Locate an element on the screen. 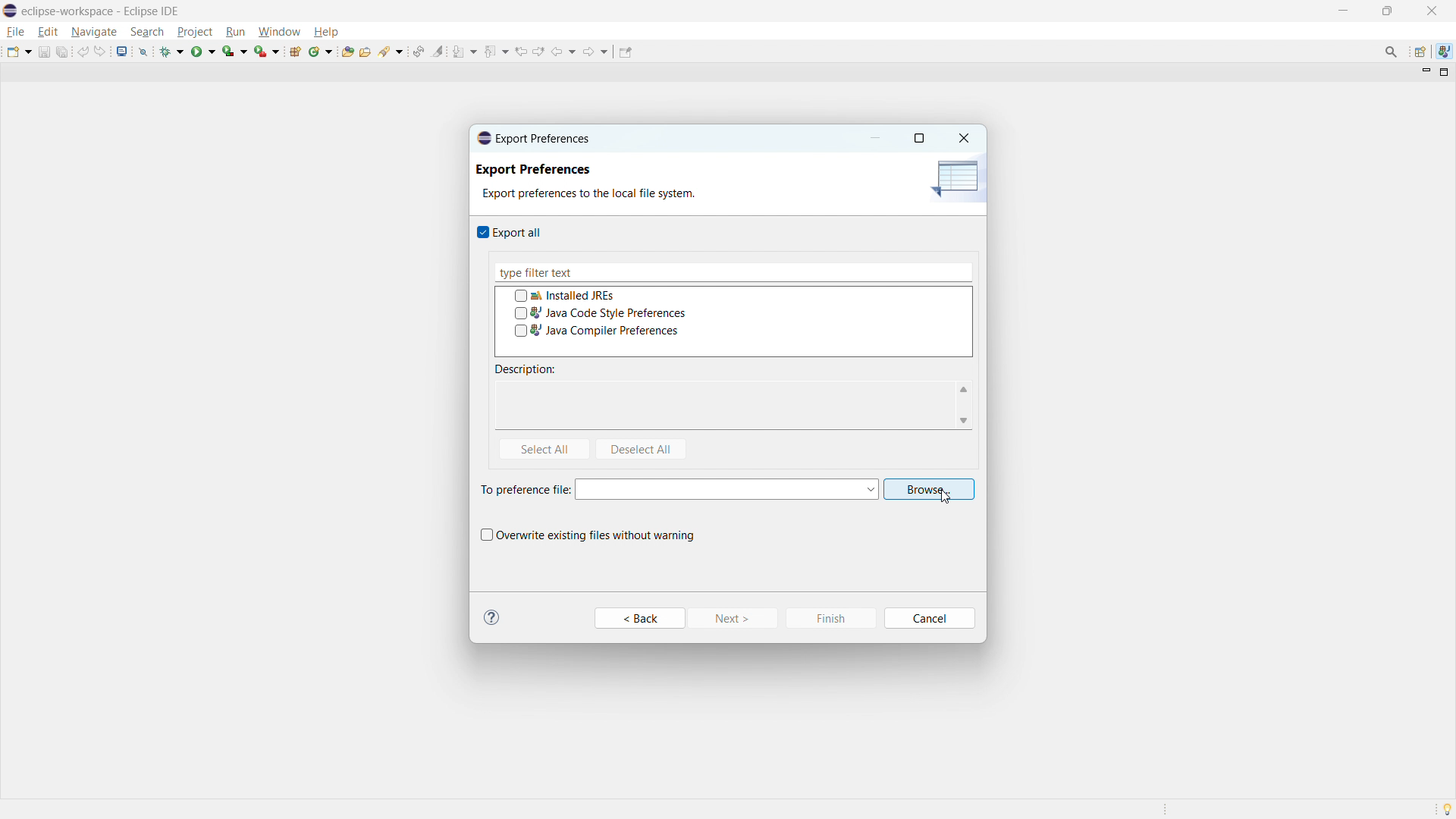  file is located at coordinates (17, 32).